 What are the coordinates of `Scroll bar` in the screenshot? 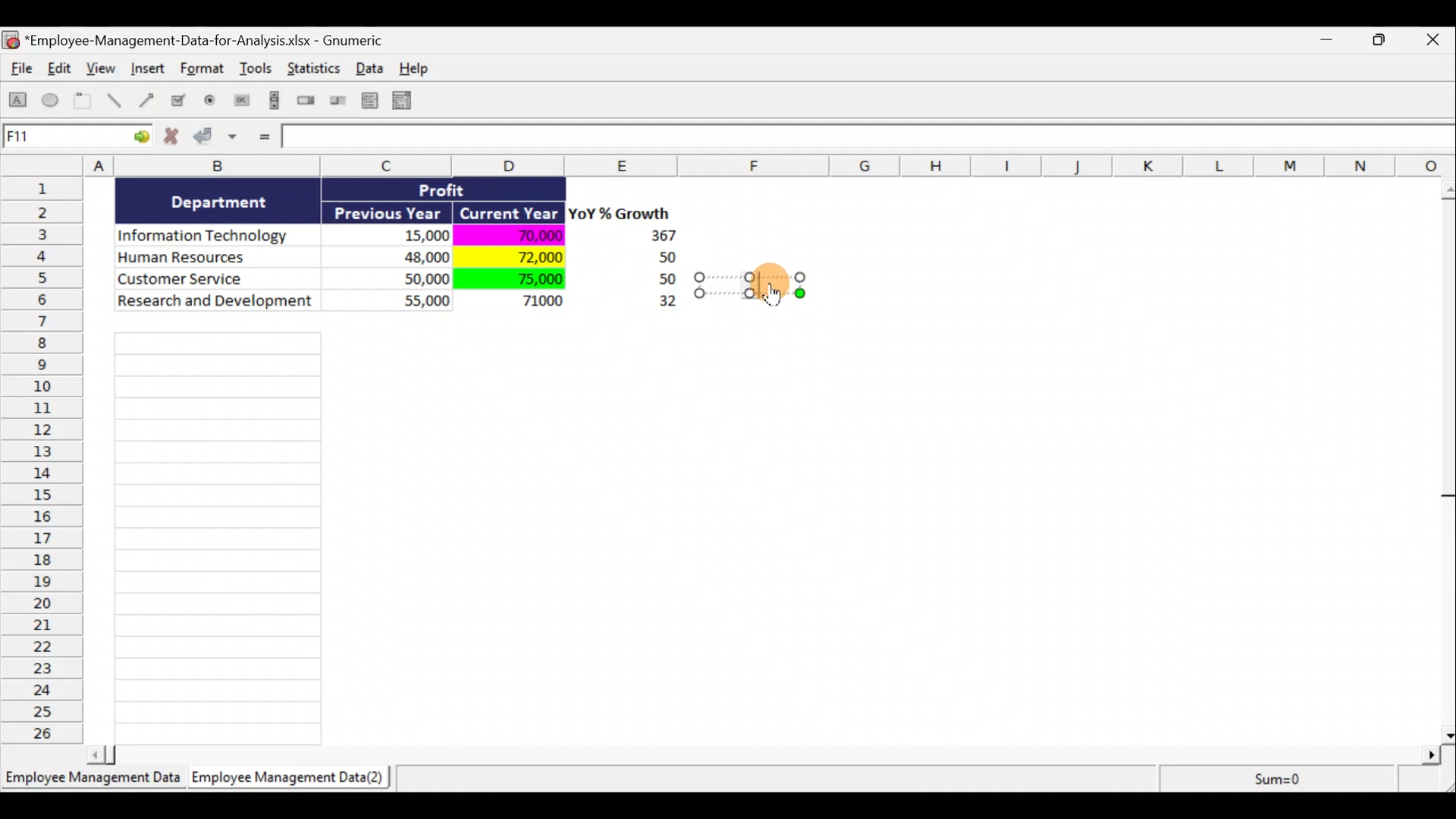 It's located at (1446, 458).